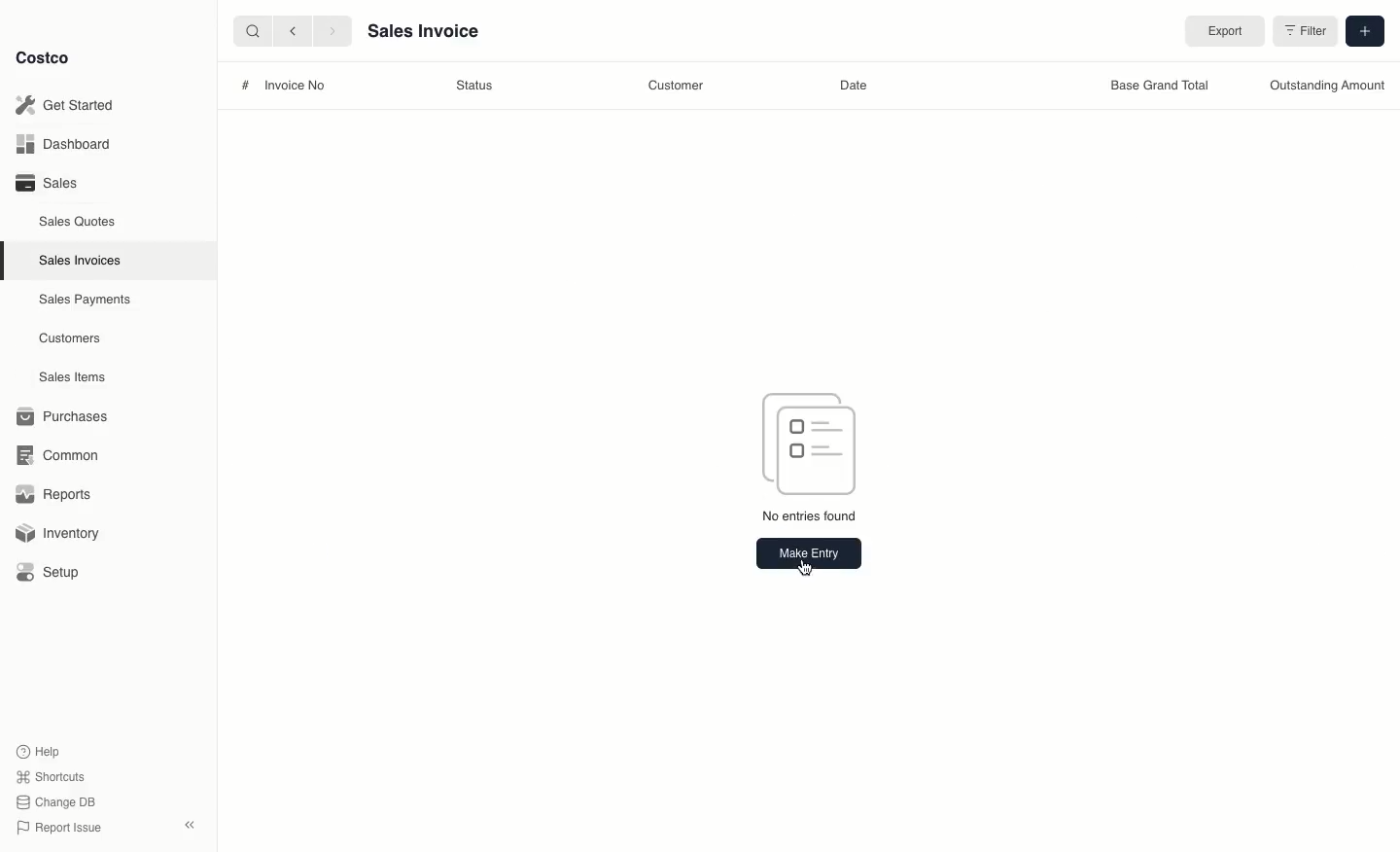  Describe the element at coordinates (46, 183) in the screenshot. I see `Sales` at that location.